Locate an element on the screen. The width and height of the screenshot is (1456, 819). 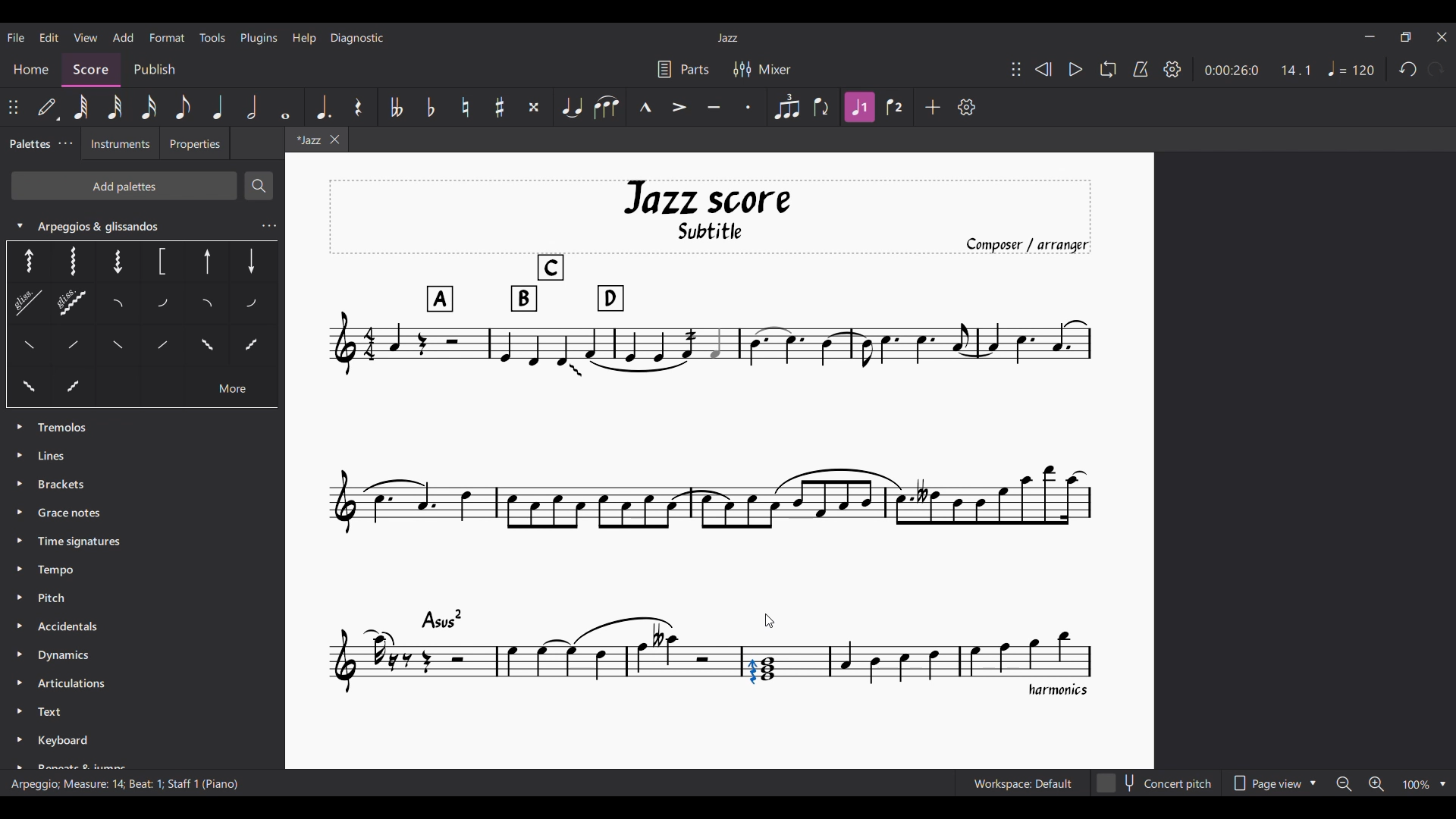
Voice 2 is located at coordinates (895, 106).